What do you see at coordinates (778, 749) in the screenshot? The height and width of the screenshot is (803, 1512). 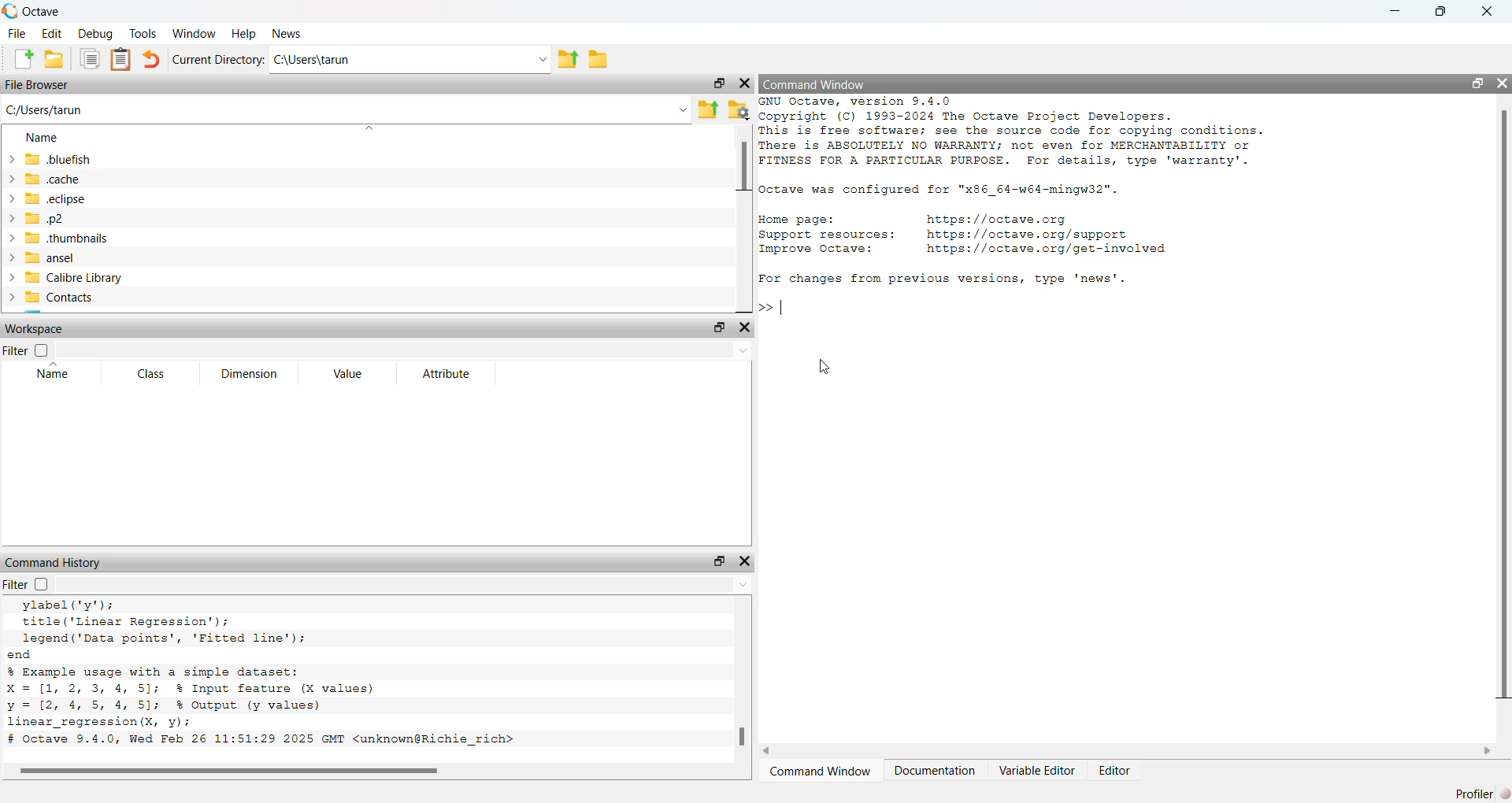 I see `move left` at bounding box center [778, 749].